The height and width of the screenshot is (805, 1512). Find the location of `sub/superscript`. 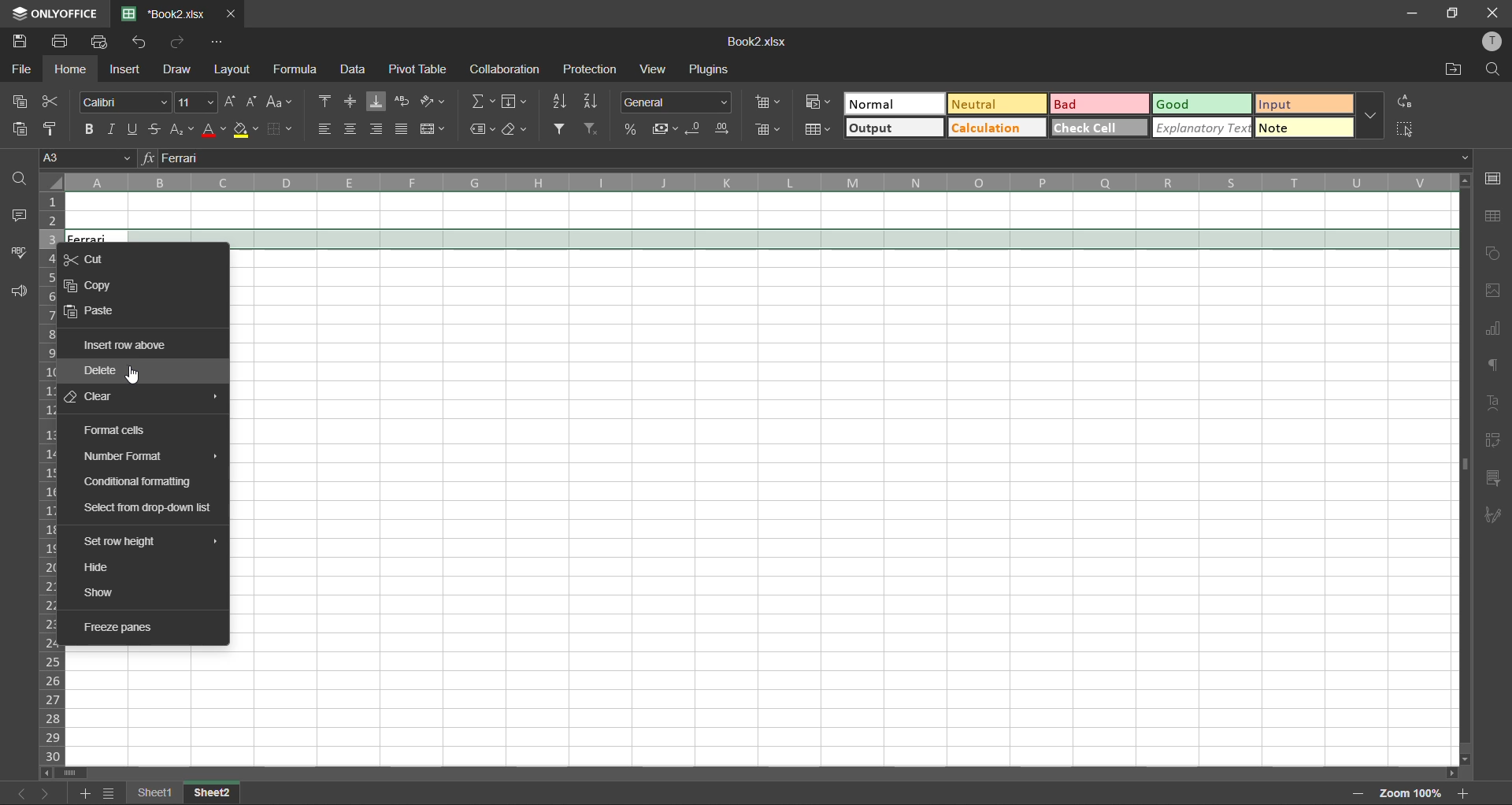

sub/superscript is located at coordinates (183, 127).